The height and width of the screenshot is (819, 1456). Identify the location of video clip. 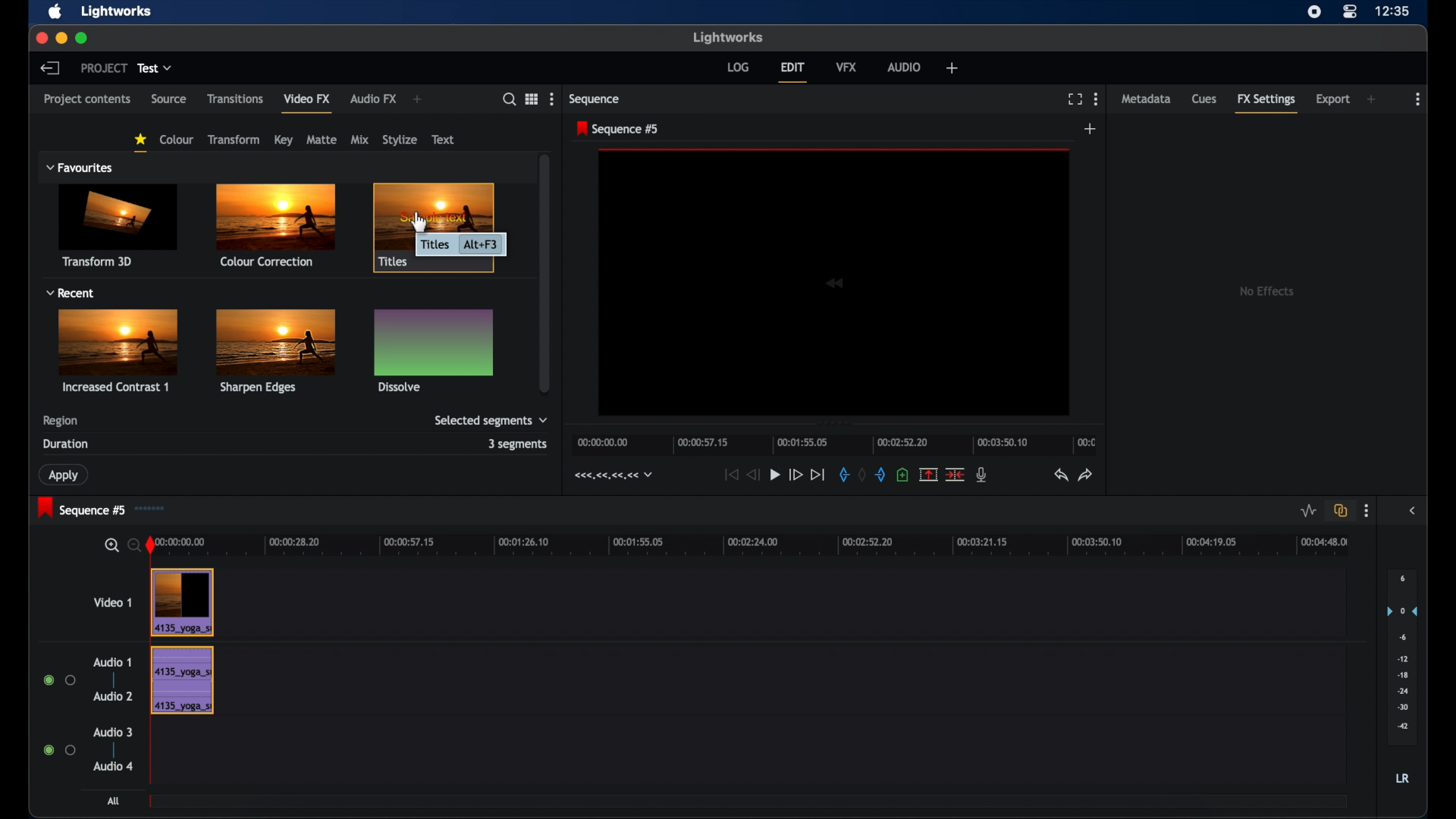
(182, 602).